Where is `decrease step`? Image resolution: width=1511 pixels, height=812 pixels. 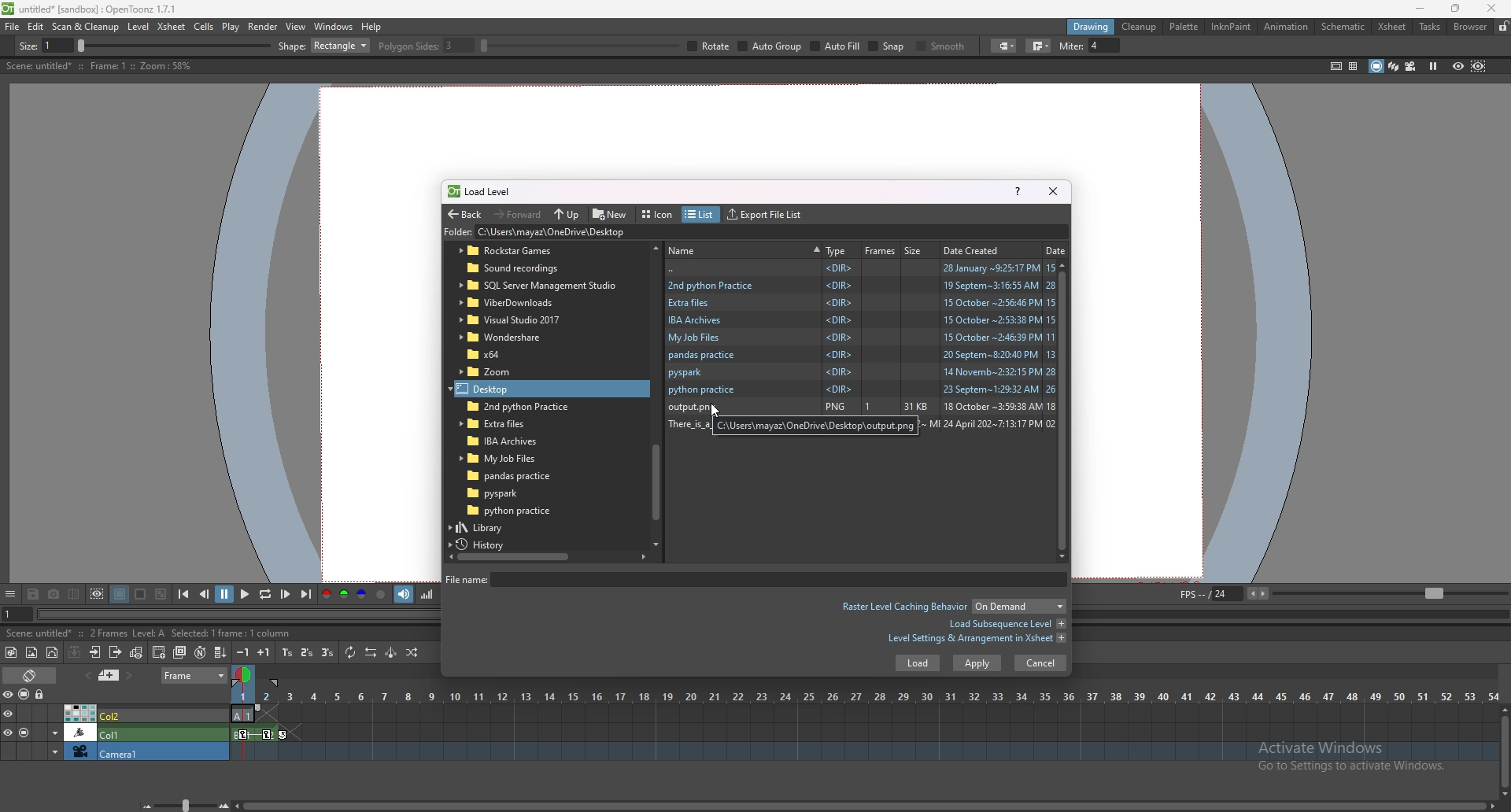 decrease step is located at coordinates (243, 652).